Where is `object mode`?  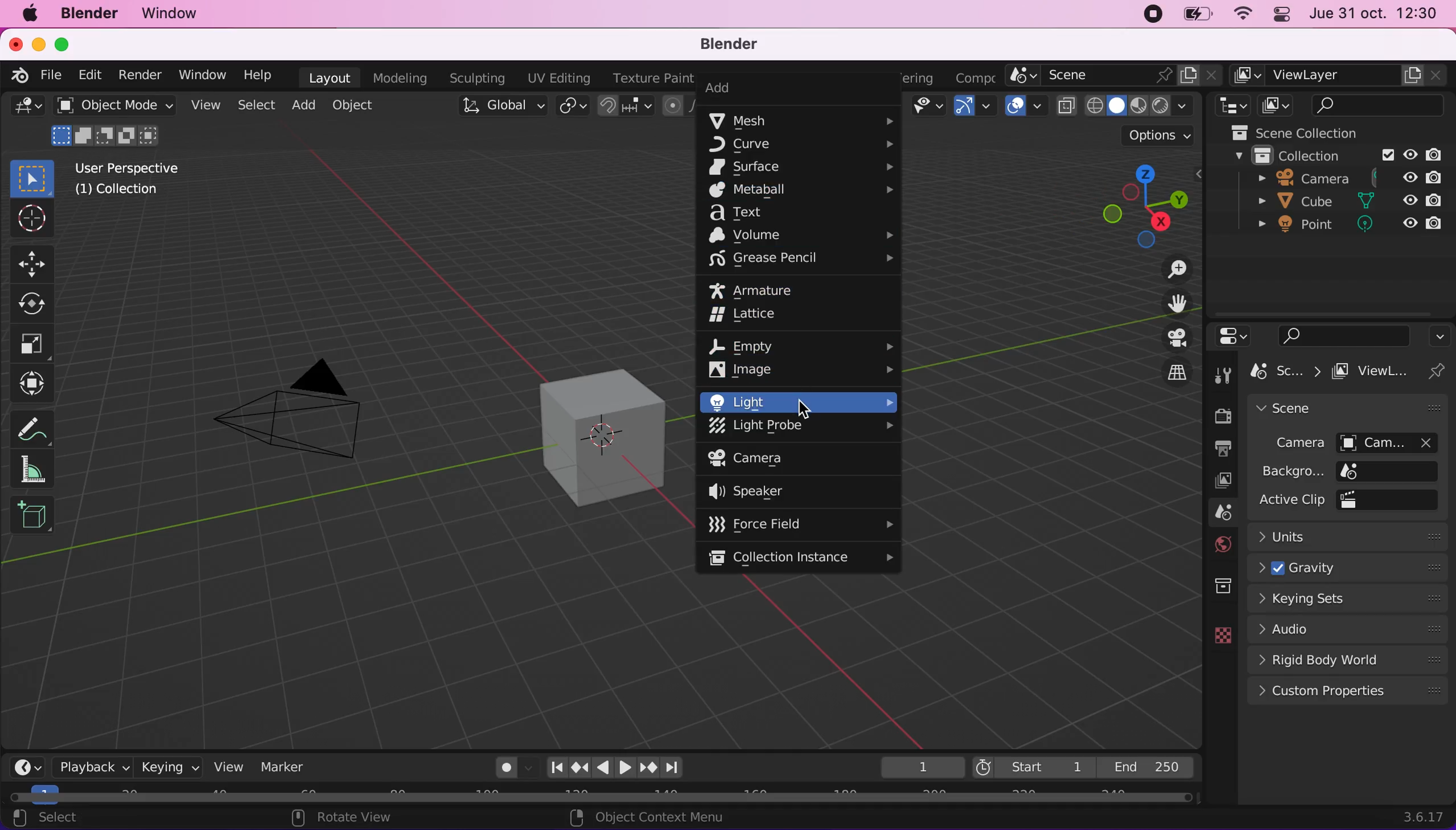
object mode is located at coordinates (116, 123).